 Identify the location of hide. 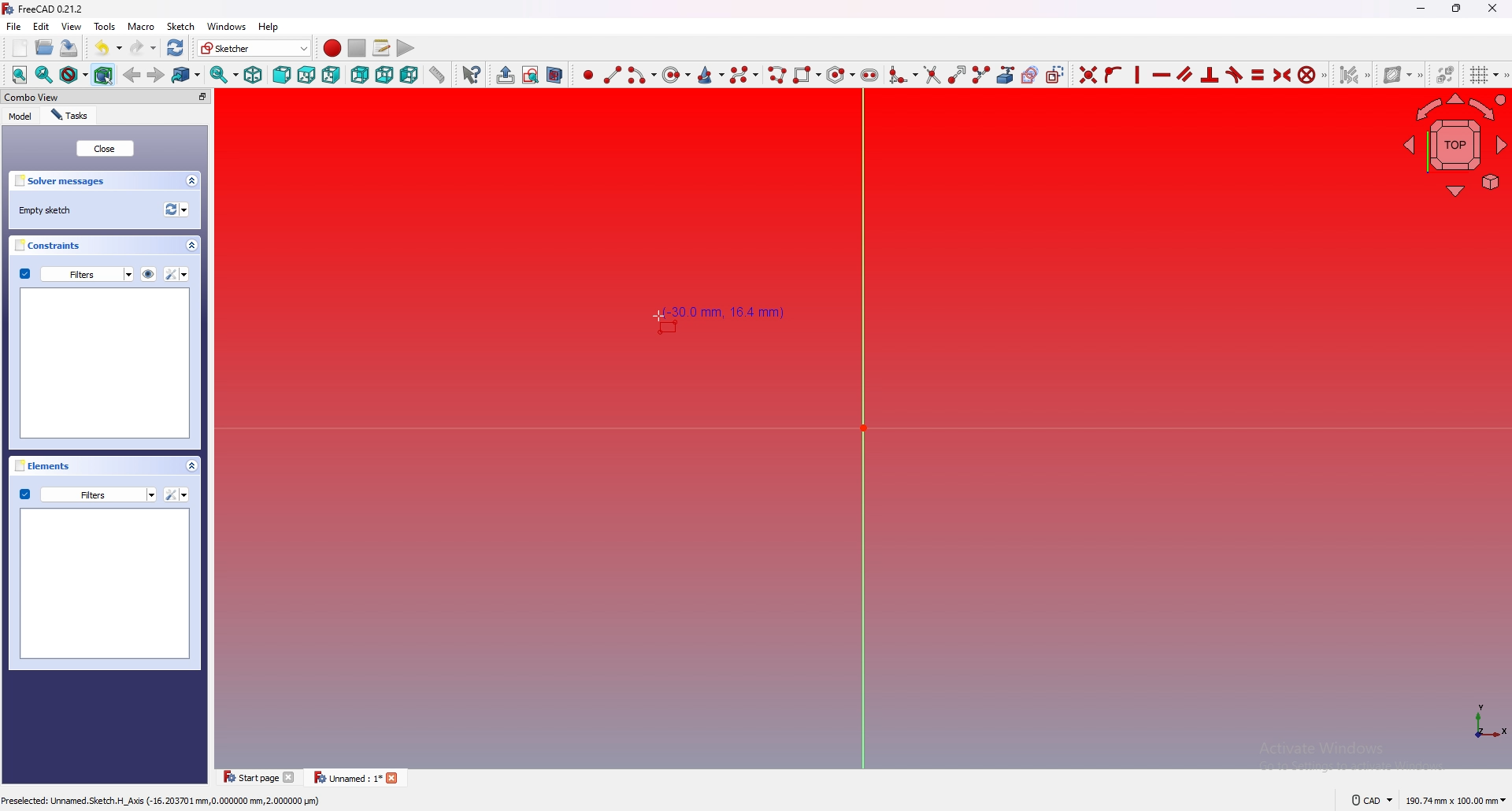
(148, 275).